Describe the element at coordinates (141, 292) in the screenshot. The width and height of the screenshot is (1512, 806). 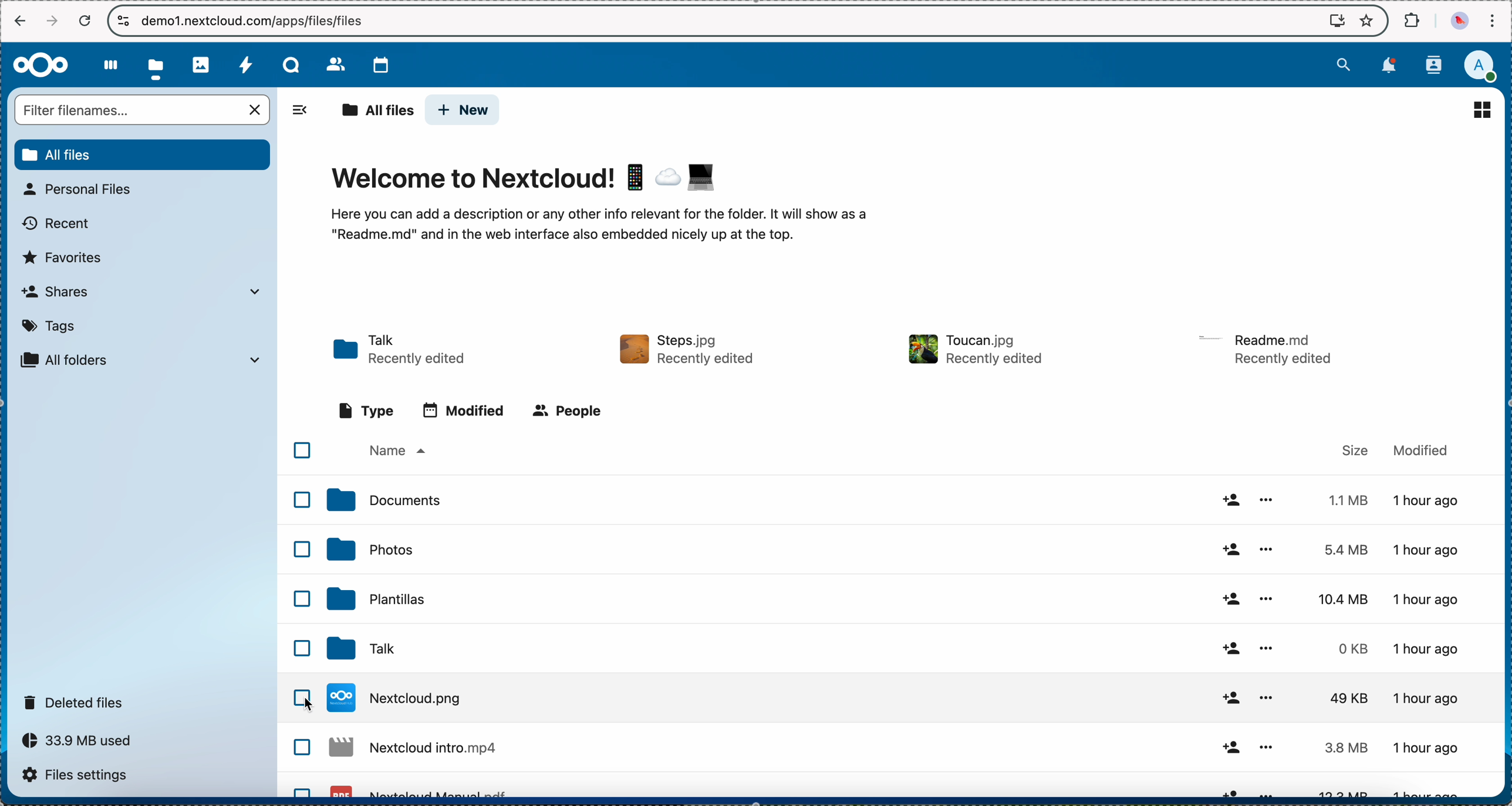
I see `shares` at that location.